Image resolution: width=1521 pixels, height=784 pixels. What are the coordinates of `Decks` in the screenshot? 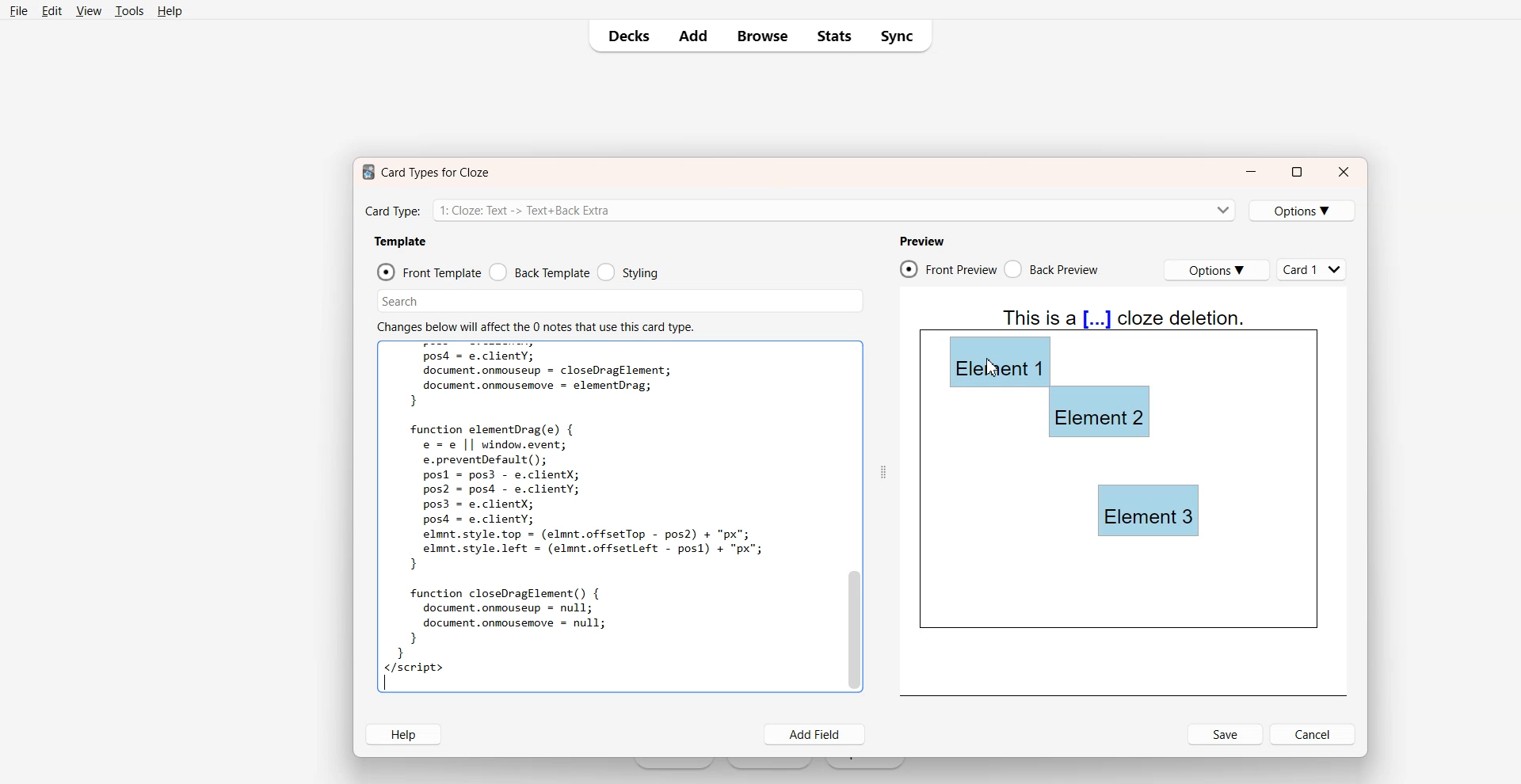 It's located at (623, 36).